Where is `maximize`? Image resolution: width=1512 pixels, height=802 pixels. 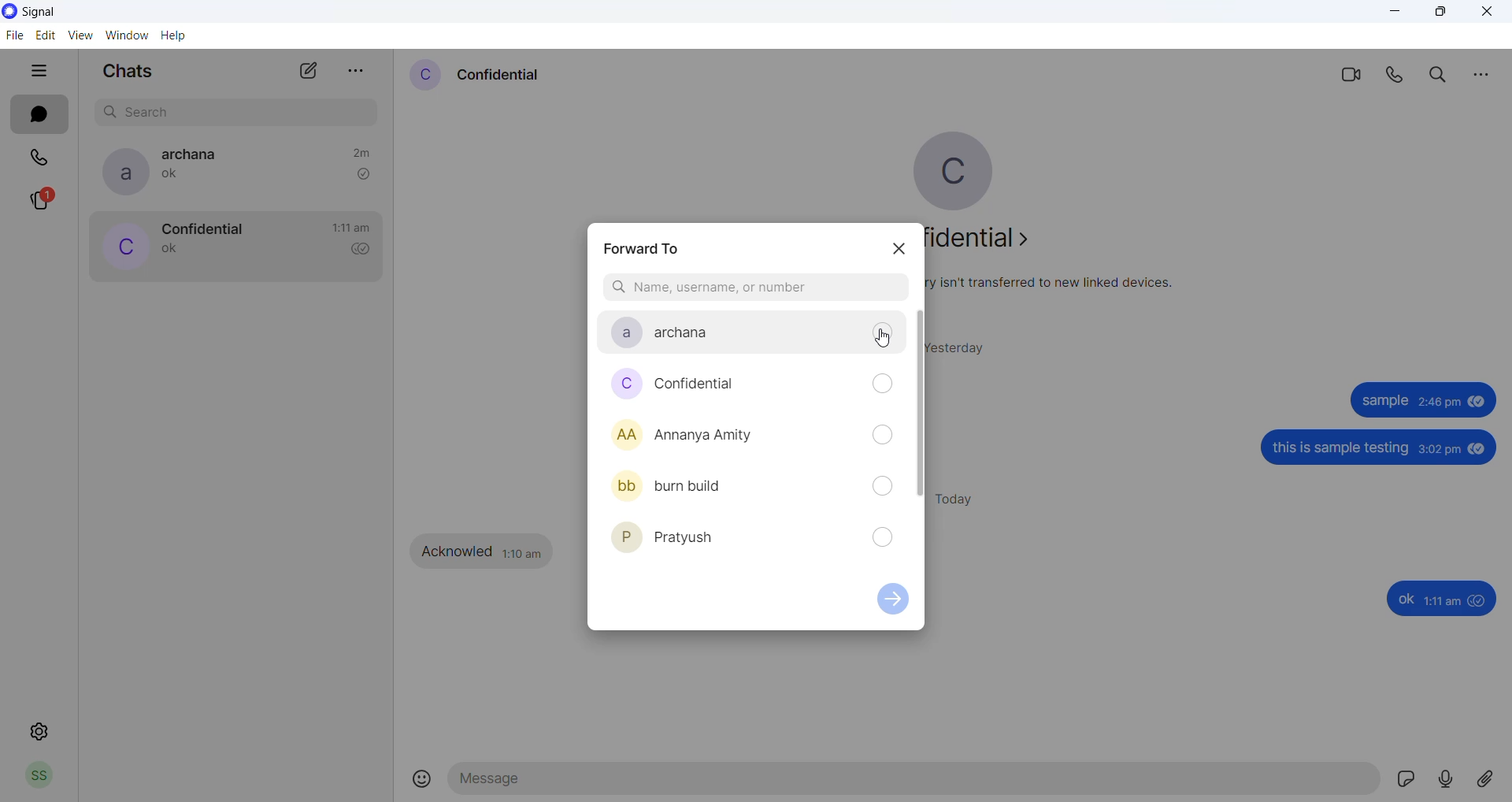 maximize is located at coordinates (1440, 14).